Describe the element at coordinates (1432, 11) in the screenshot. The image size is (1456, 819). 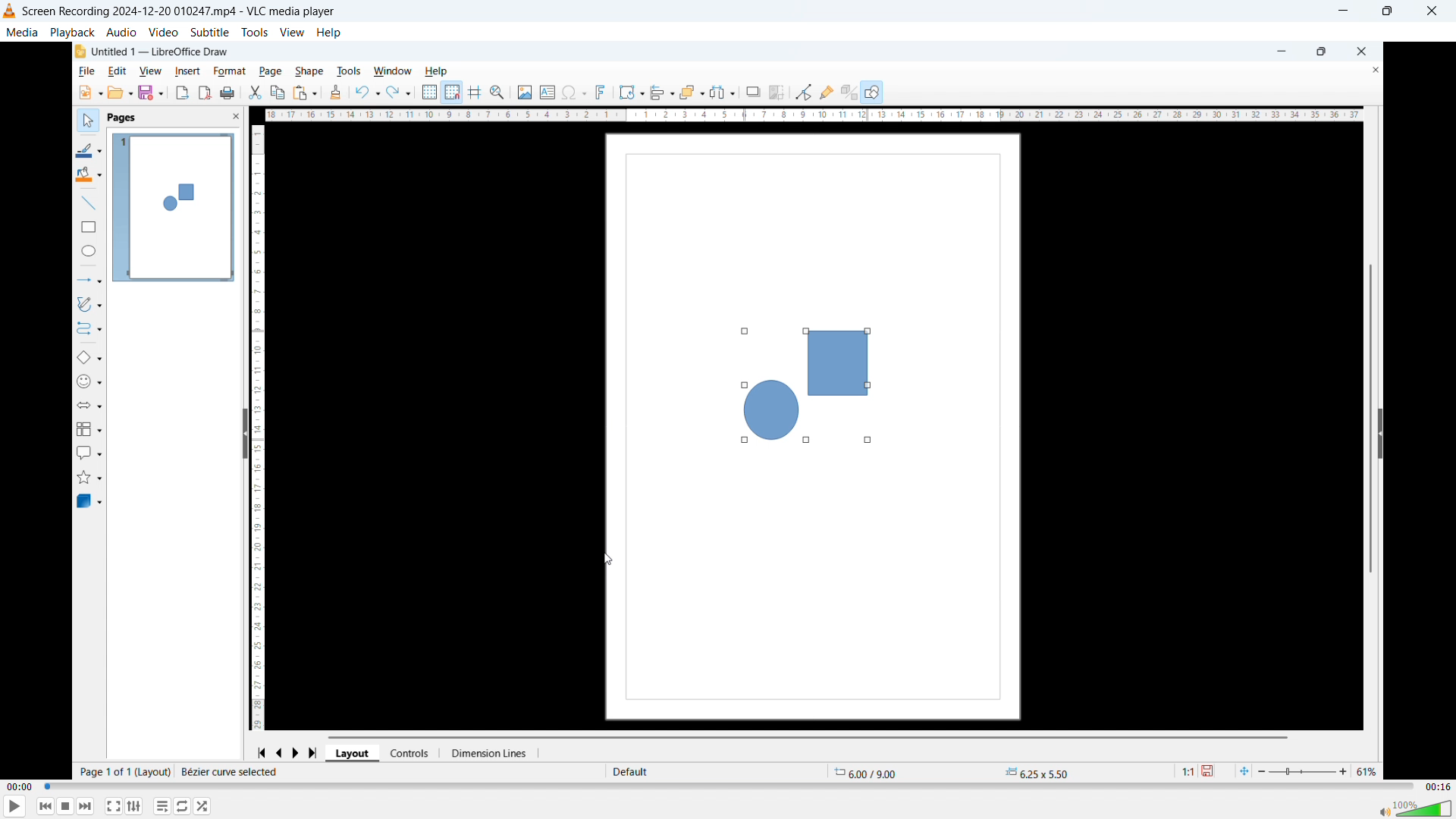
I see `close ` at that location.